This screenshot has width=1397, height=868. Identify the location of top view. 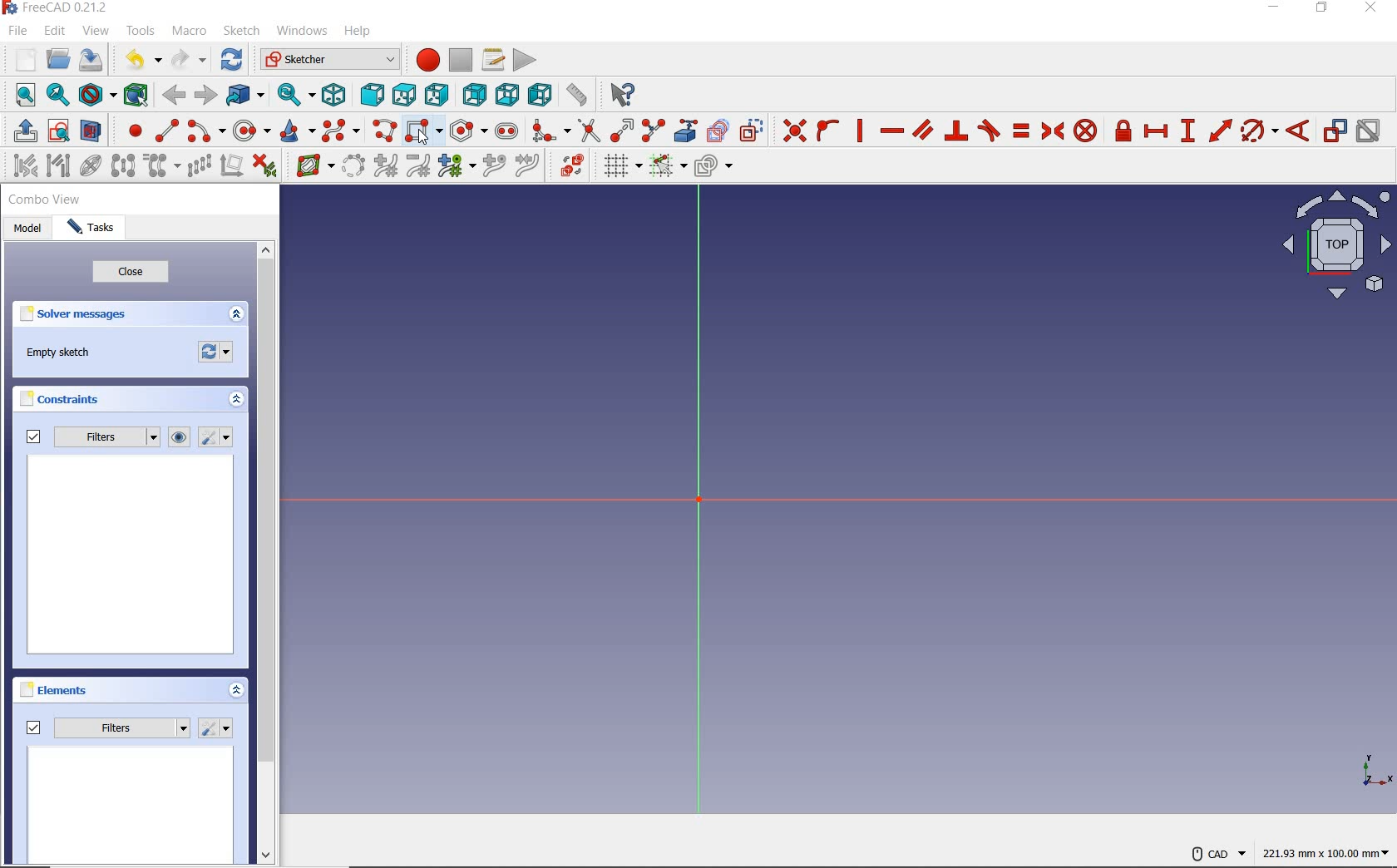
(1335, 249).